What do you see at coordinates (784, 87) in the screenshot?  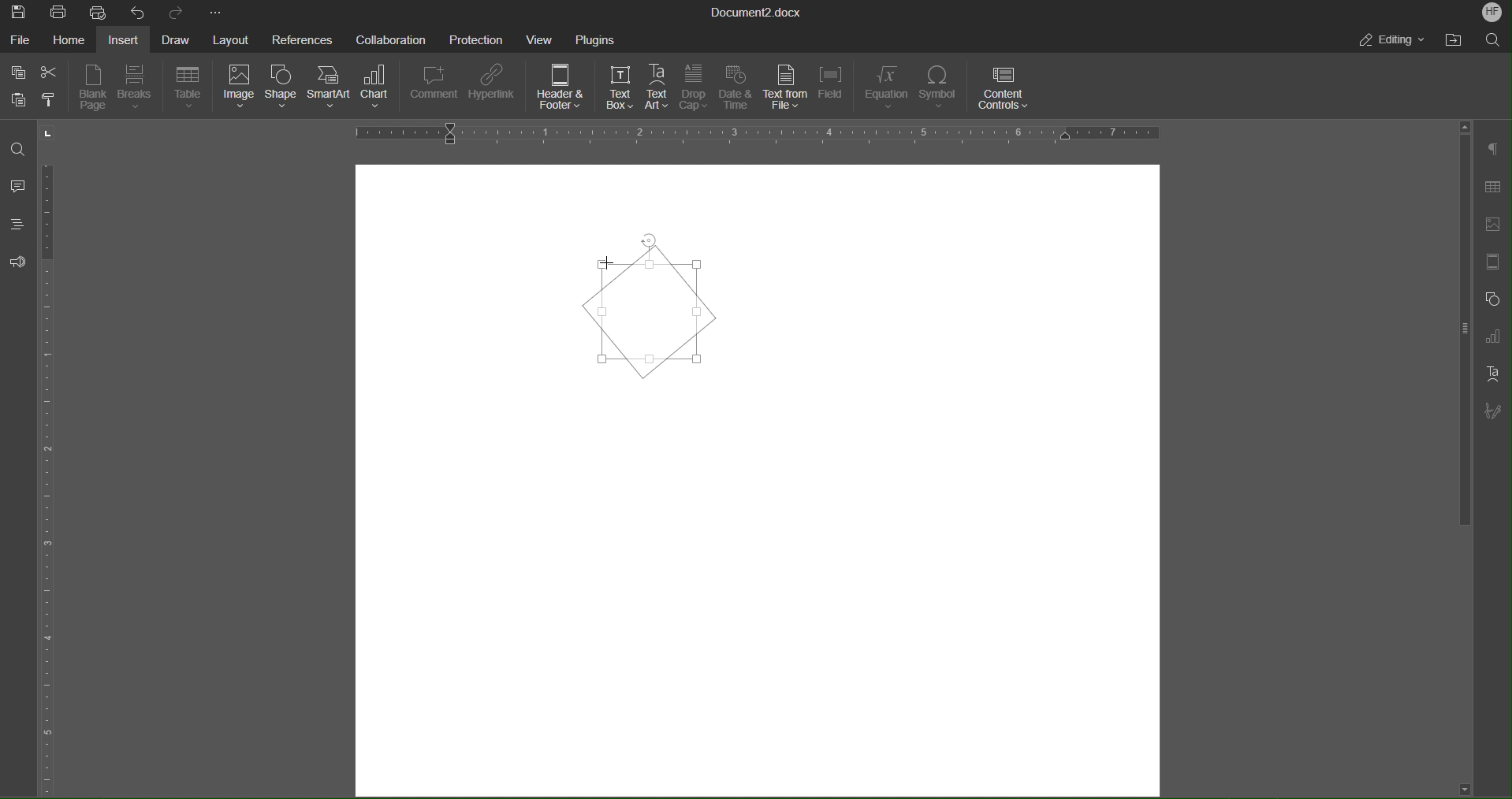 I see `Text from File` at bounding box center [784, 87].